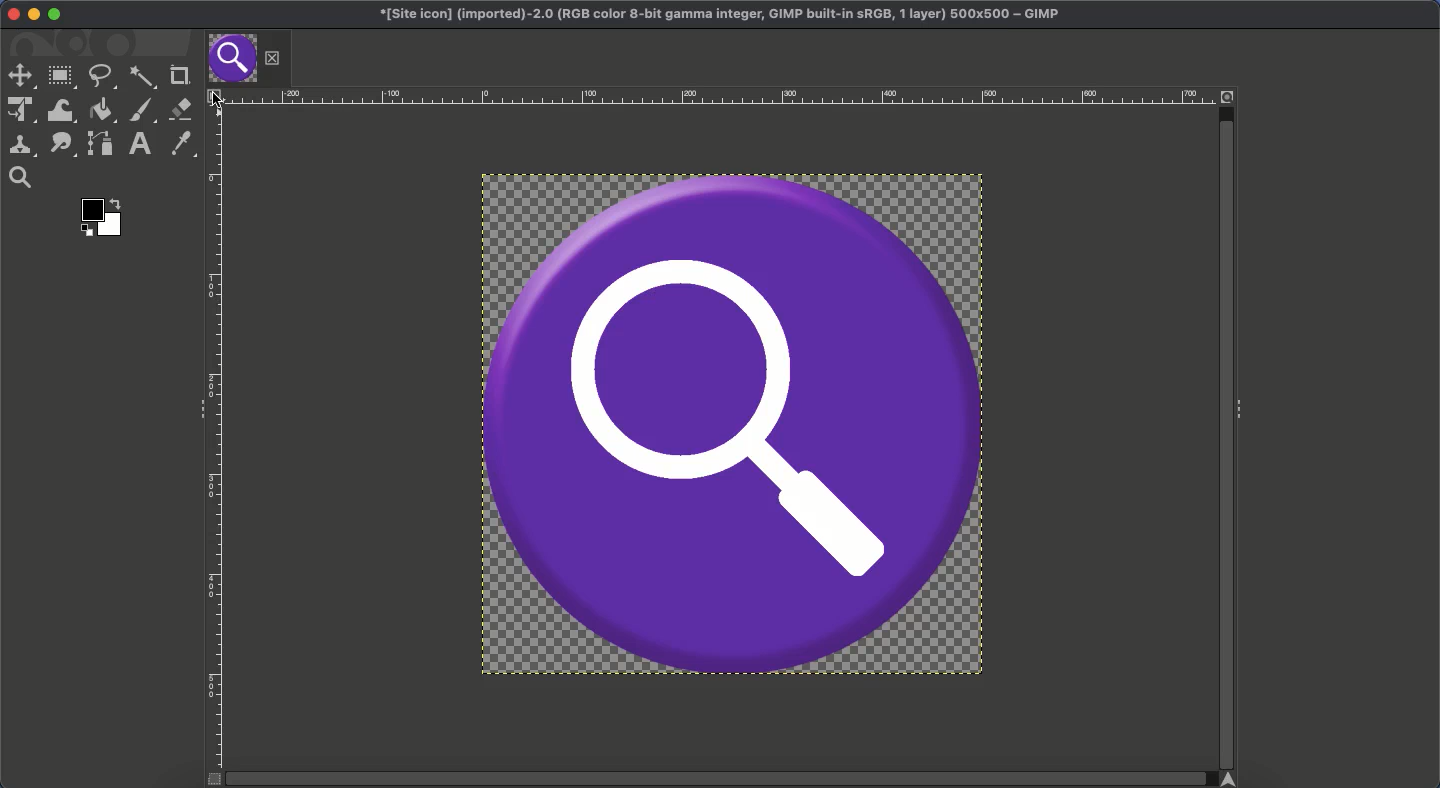 The height and width of the screenshot is (788, 1440). Describe the element at coordinates (33, 15) in the screenshot. I see `Minimize` at that location.